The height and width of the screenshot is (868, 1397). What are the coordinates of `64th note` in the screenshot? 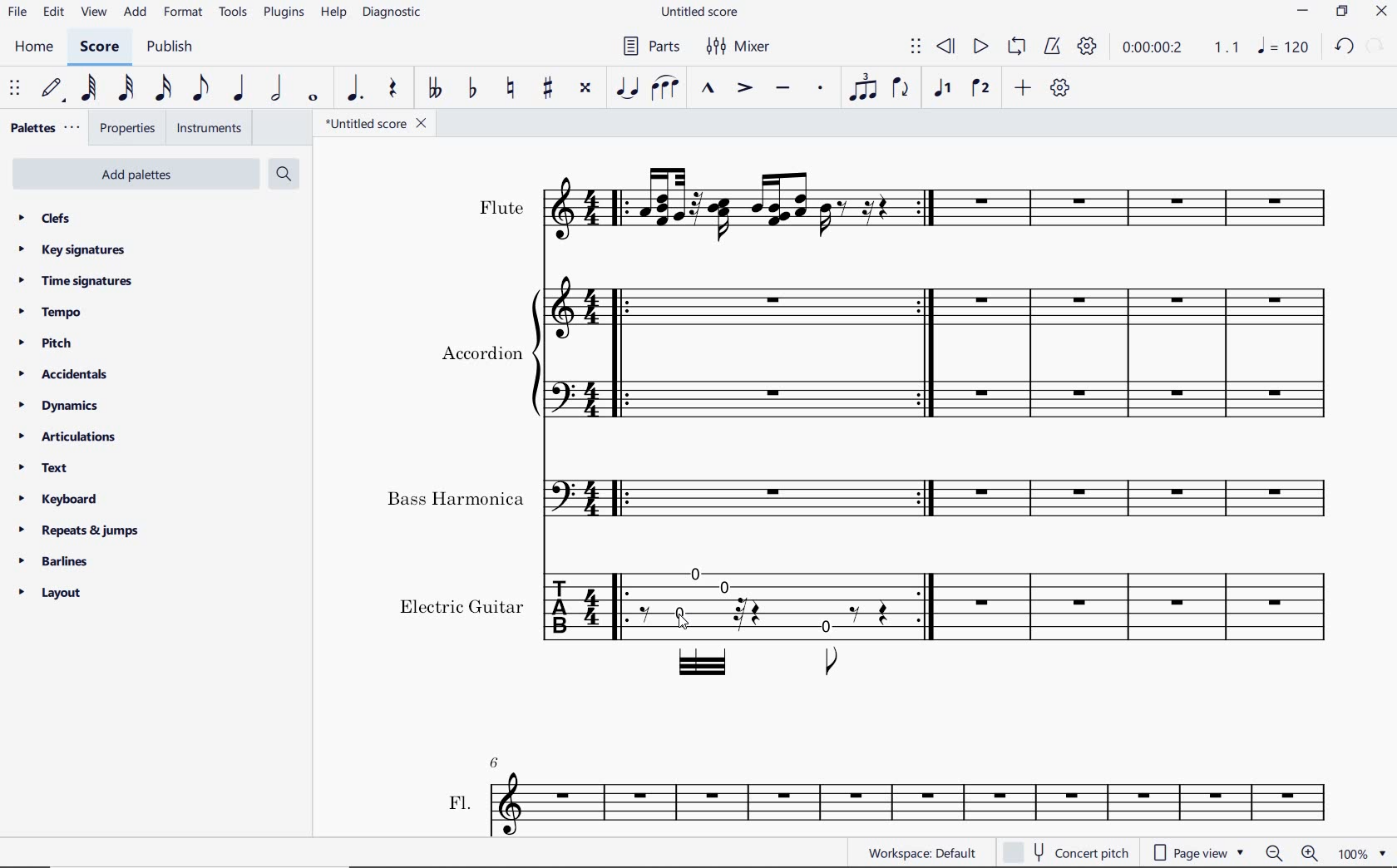 It's located at (89, 89).